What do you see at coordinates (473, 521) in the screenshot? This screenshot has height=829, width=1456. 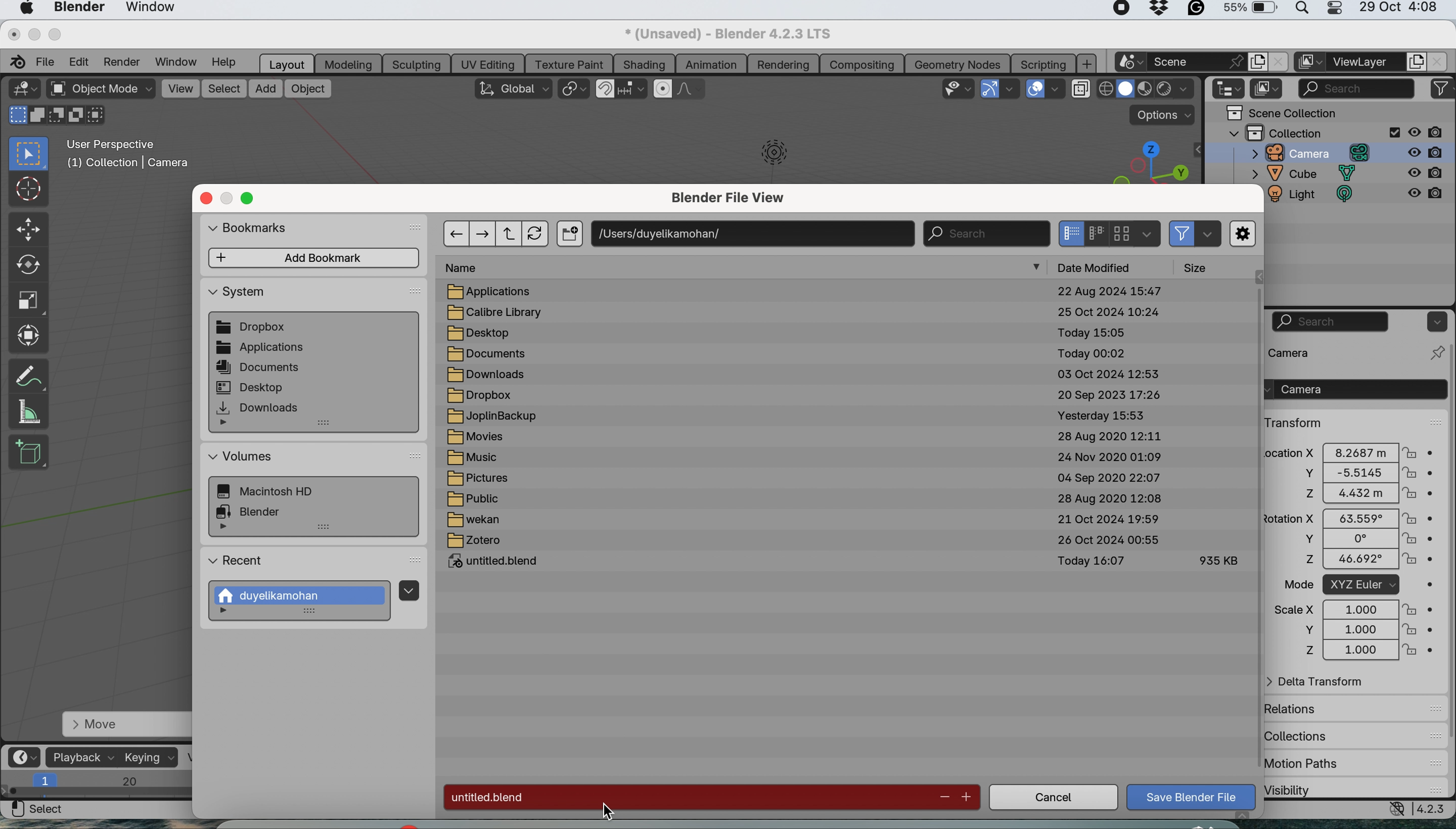 I see `wekan` at bounding box center [473, 521].